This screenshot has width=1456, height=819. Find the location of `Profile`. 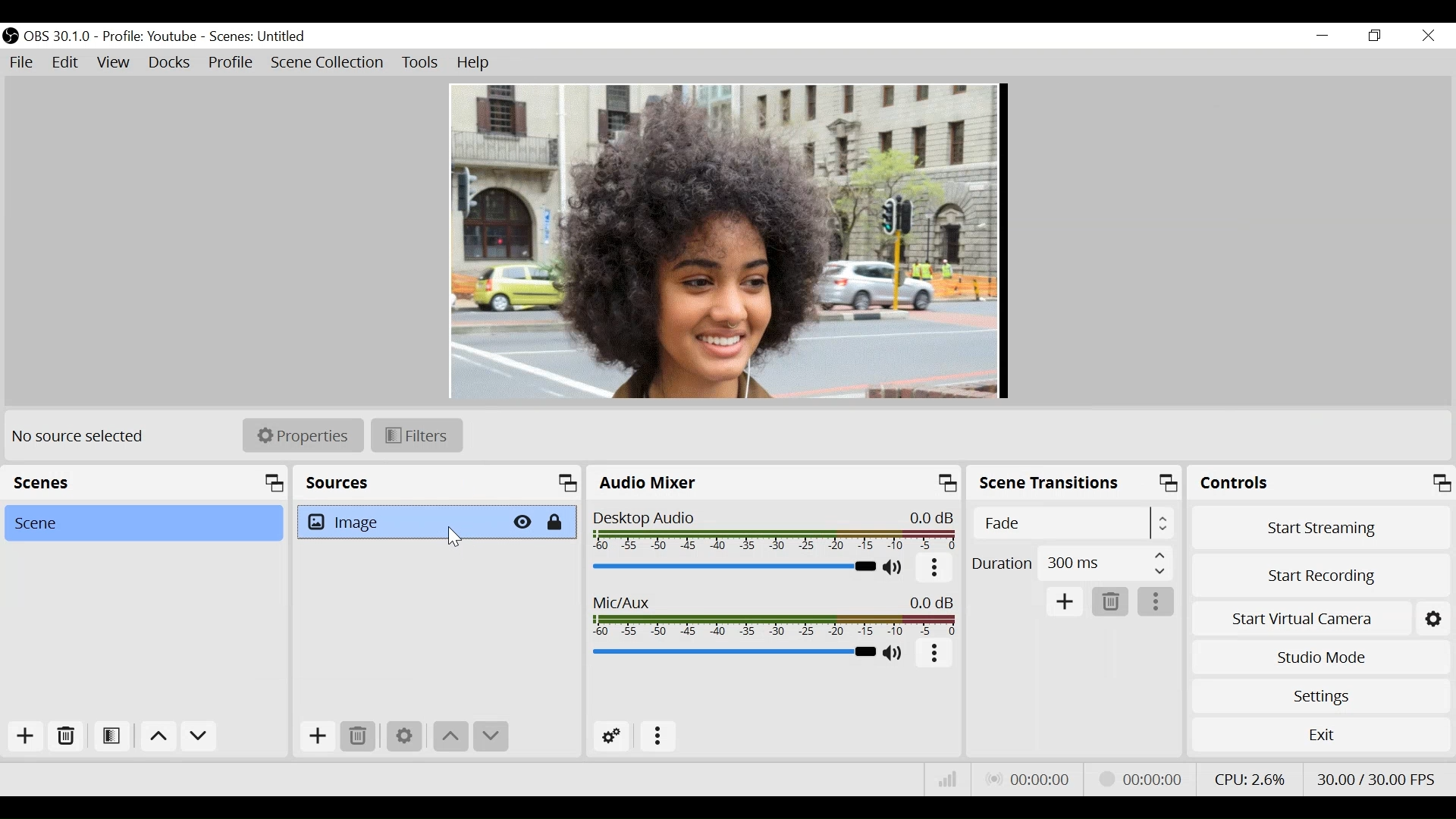

Profile is located at coordinates (234, 64).